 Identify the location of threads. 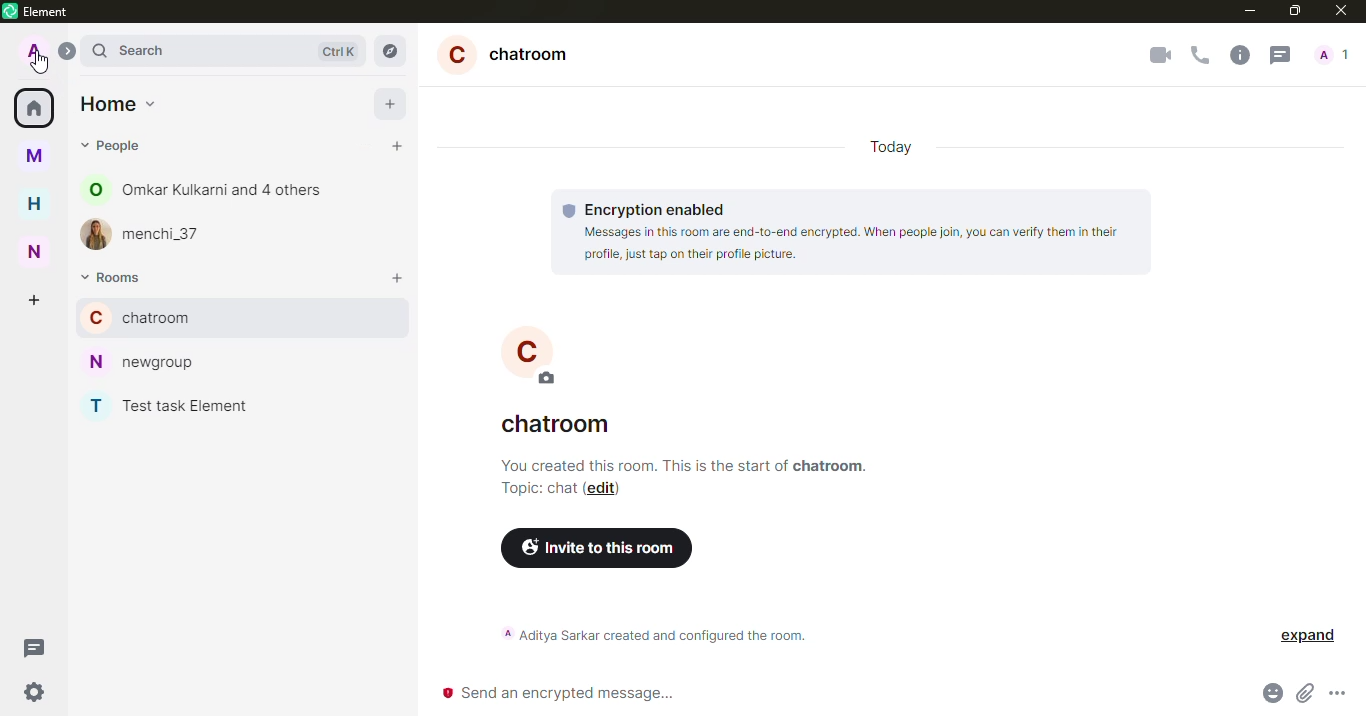
(1280, 55).